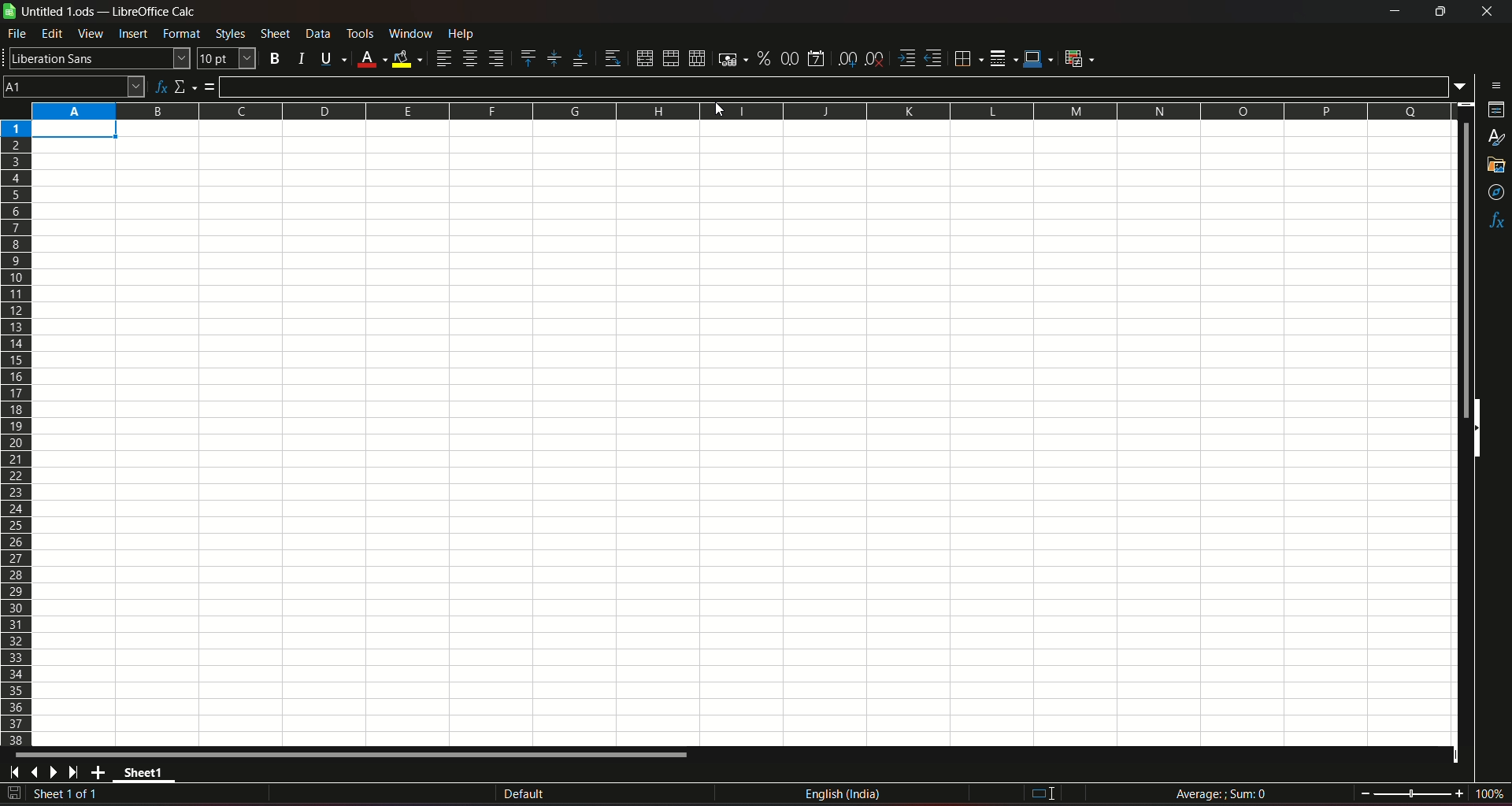 Image resolution: width=1512 pixels, height=806 pixels. What do you see at coordinates (1039, 60) in the screenshot?
I see `border color` at bounding box center [1039, 60].